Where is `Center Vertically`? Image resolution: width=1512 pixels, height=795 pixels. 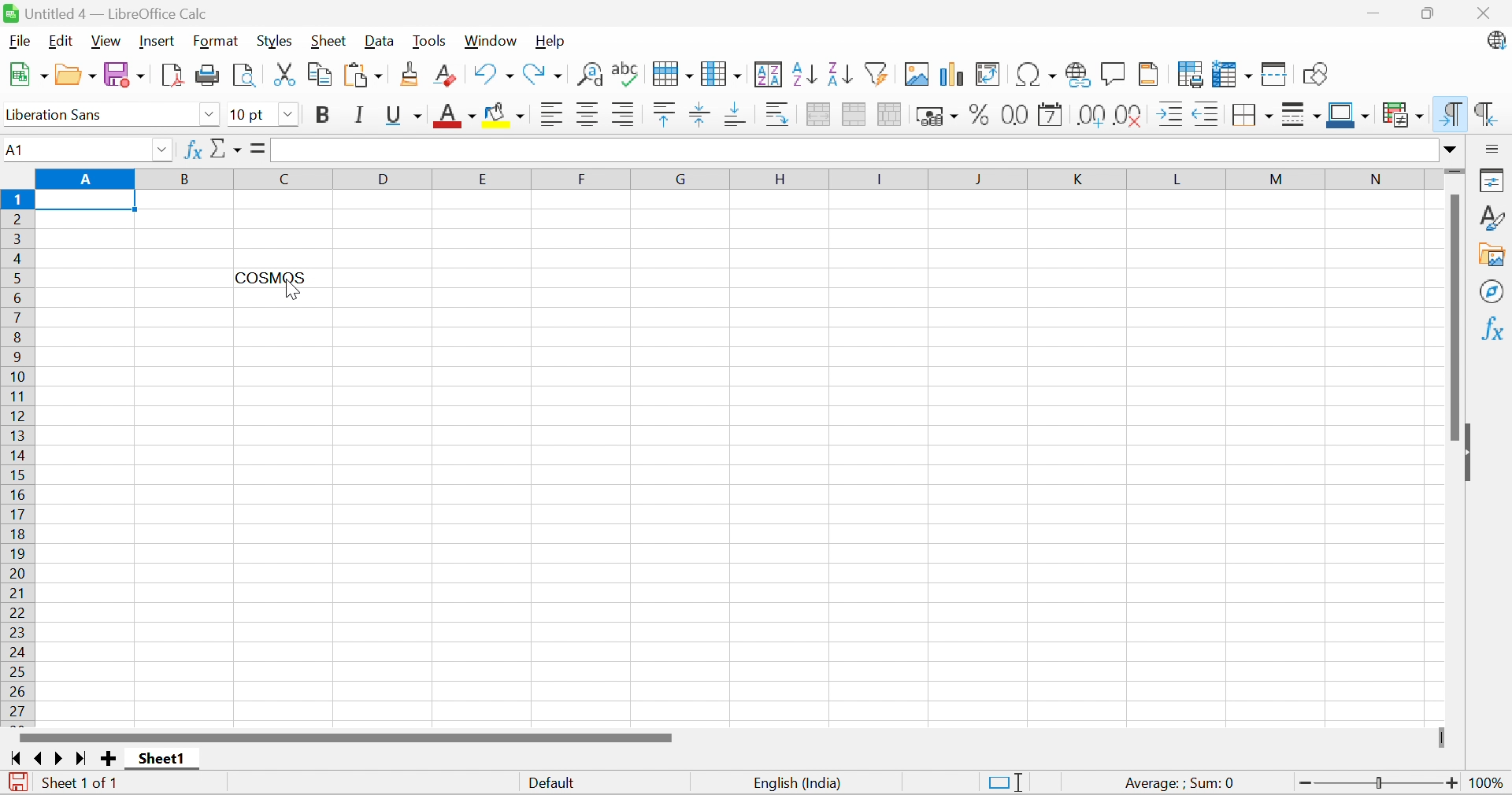
Center Vertically is located at coordinates (701, 113).